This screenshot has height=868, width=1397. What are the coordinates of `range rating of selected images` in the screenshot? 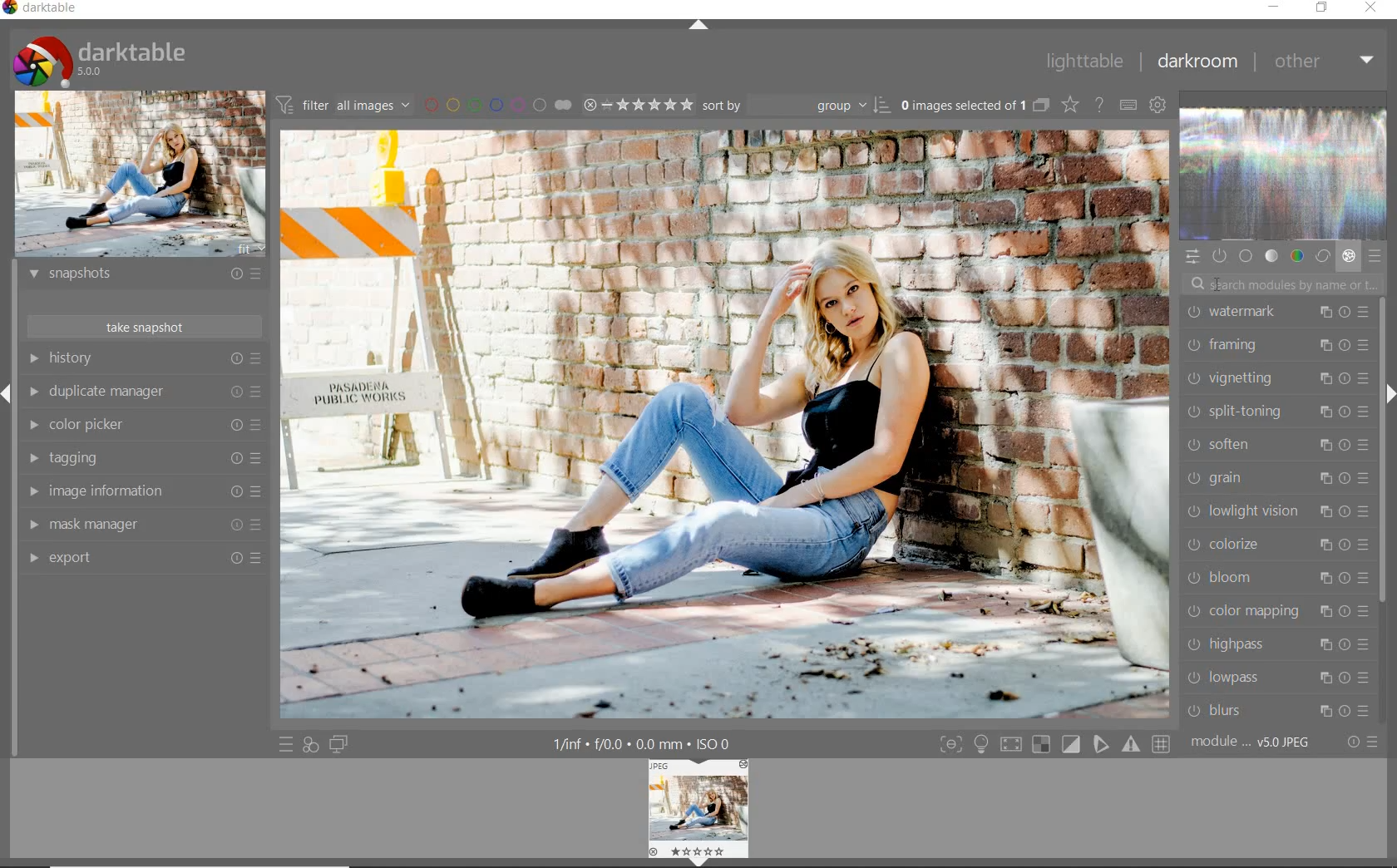 It's located at (637, 106).